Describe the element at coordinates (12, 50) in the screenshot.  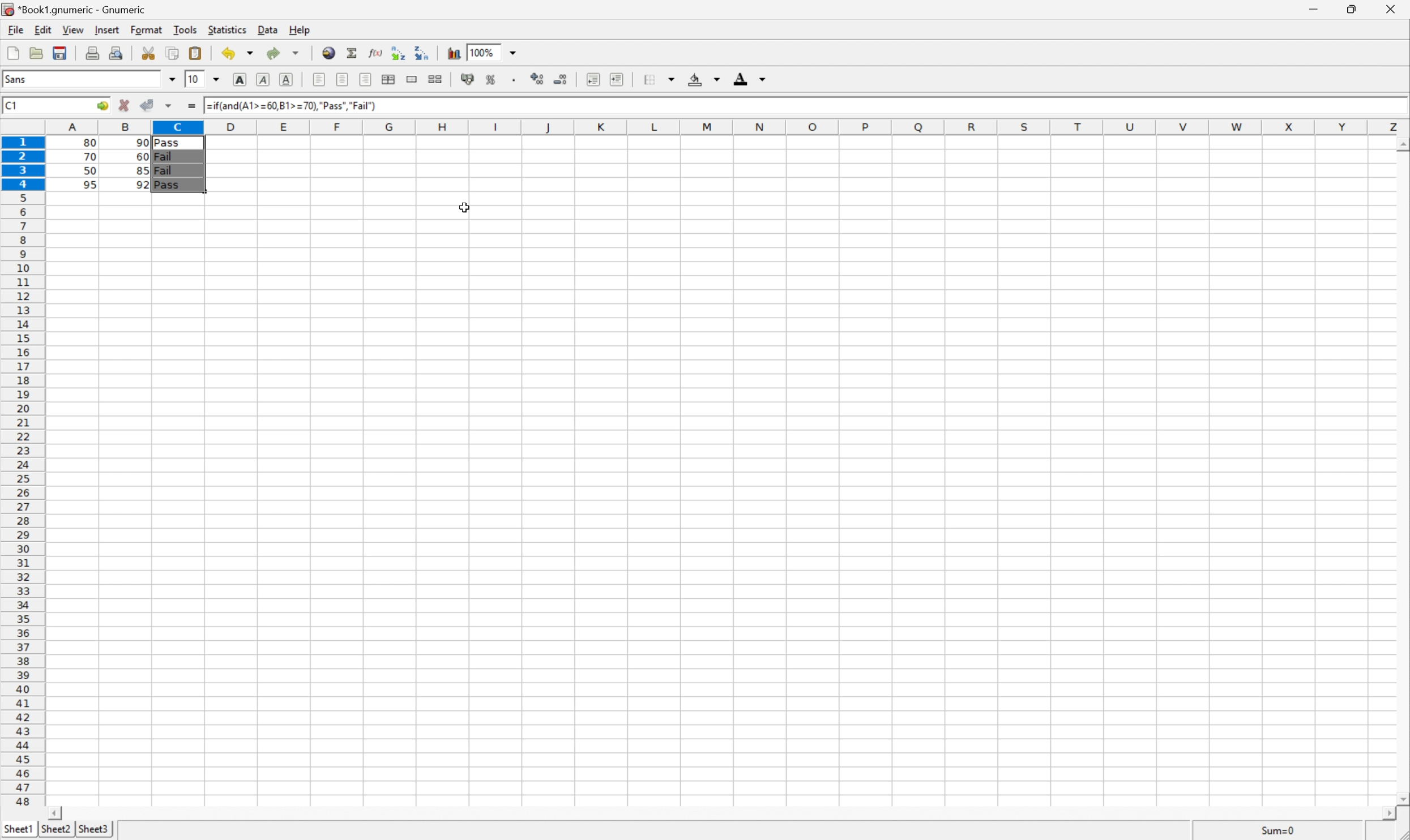
I see `Create a new workbook` at that location.